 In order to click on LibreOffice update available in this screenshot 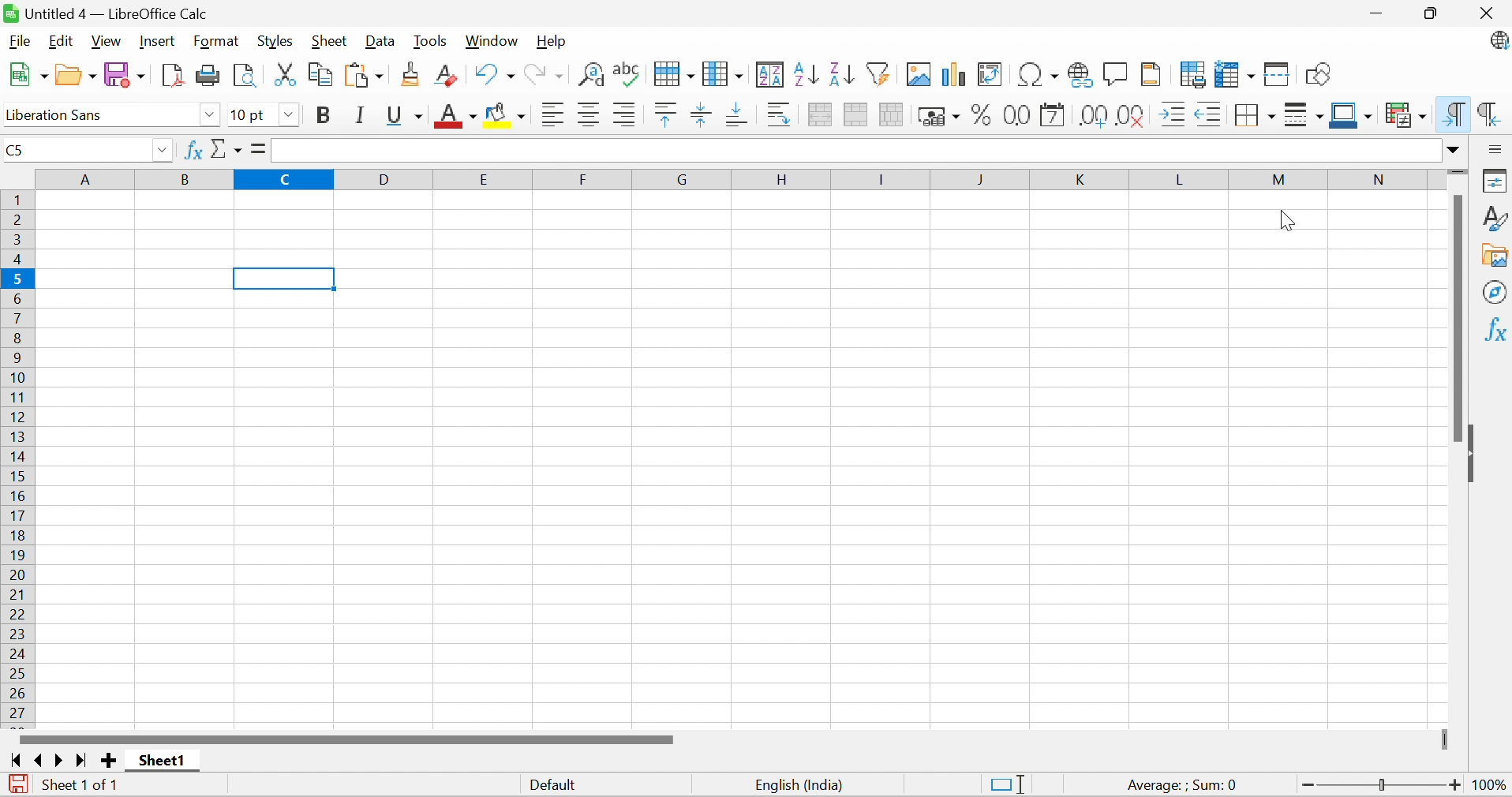, I will do `click(1499, 43)`.